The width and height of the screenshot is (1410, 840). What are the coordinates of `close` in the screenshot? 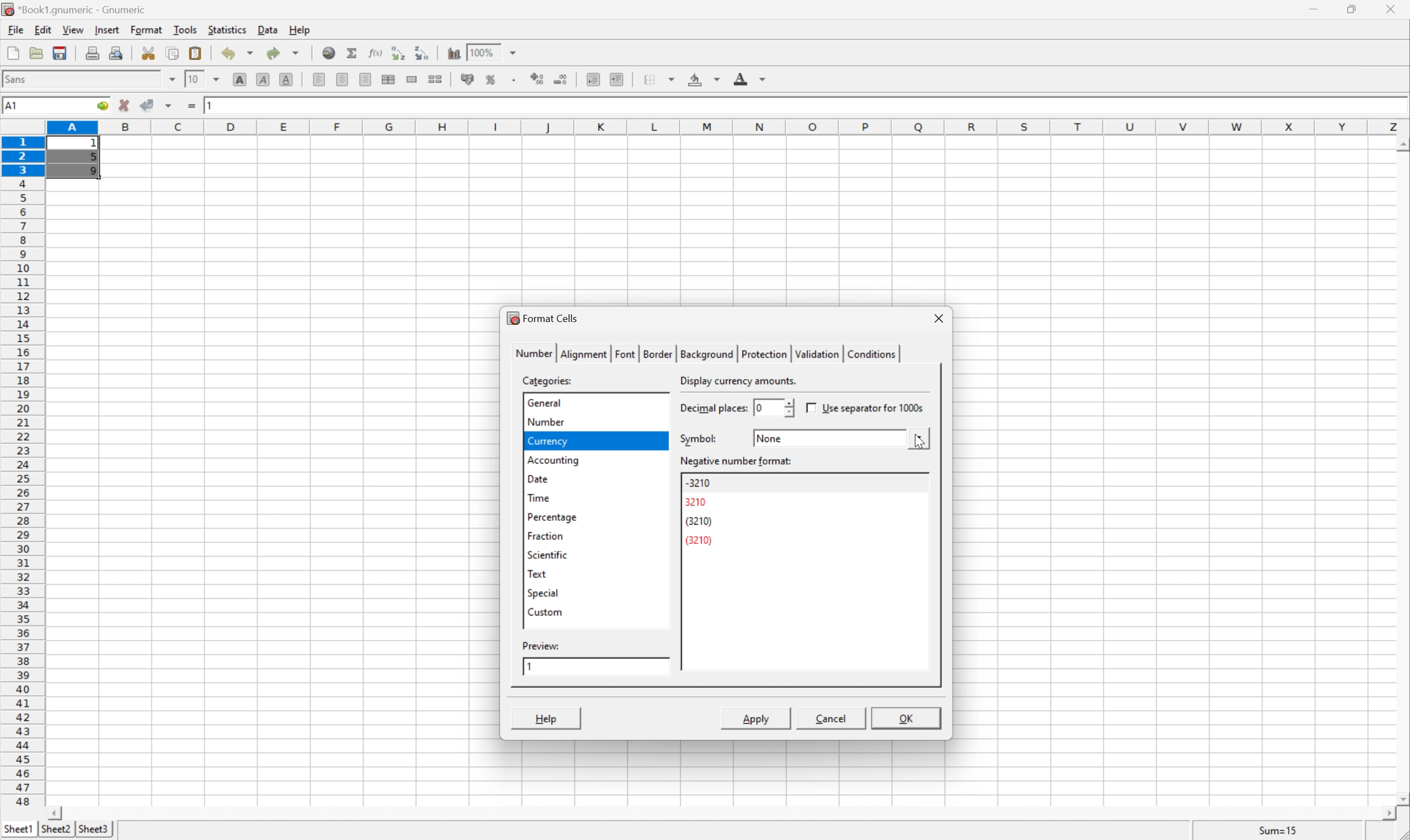 It's located at (939, 319).